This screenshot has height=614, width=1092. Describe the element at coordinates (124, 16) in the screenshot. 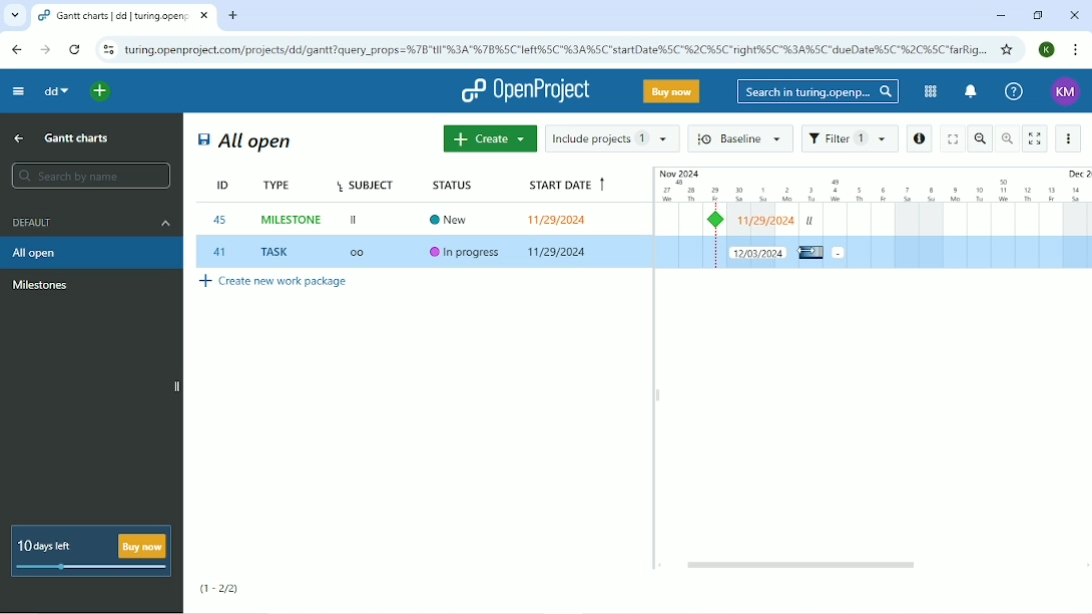

I see `Current tab` at that location.